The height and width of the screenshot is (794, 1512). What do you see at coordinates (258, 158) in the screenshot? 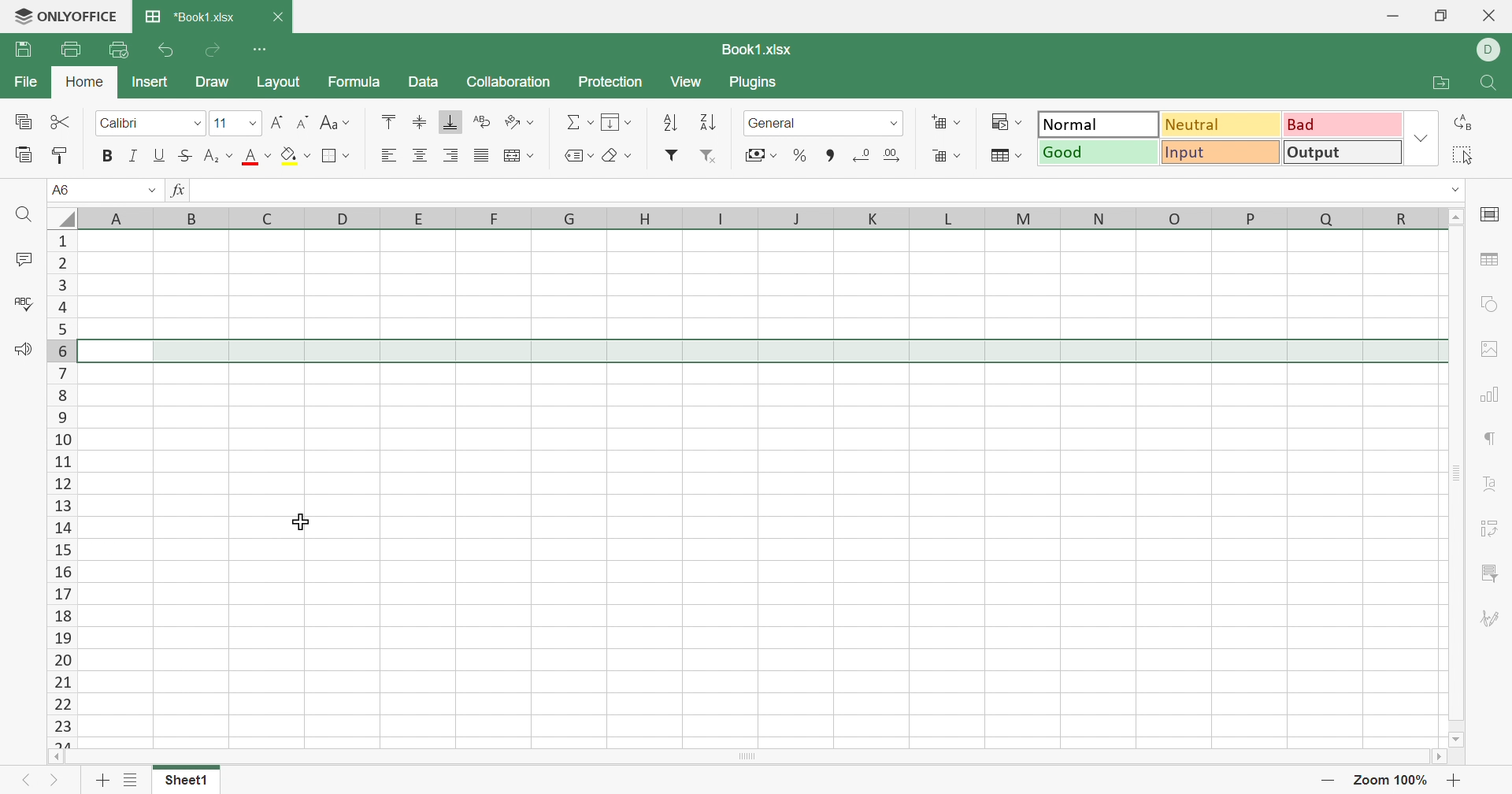
I see `Font color` at bounding box center [258, 158].